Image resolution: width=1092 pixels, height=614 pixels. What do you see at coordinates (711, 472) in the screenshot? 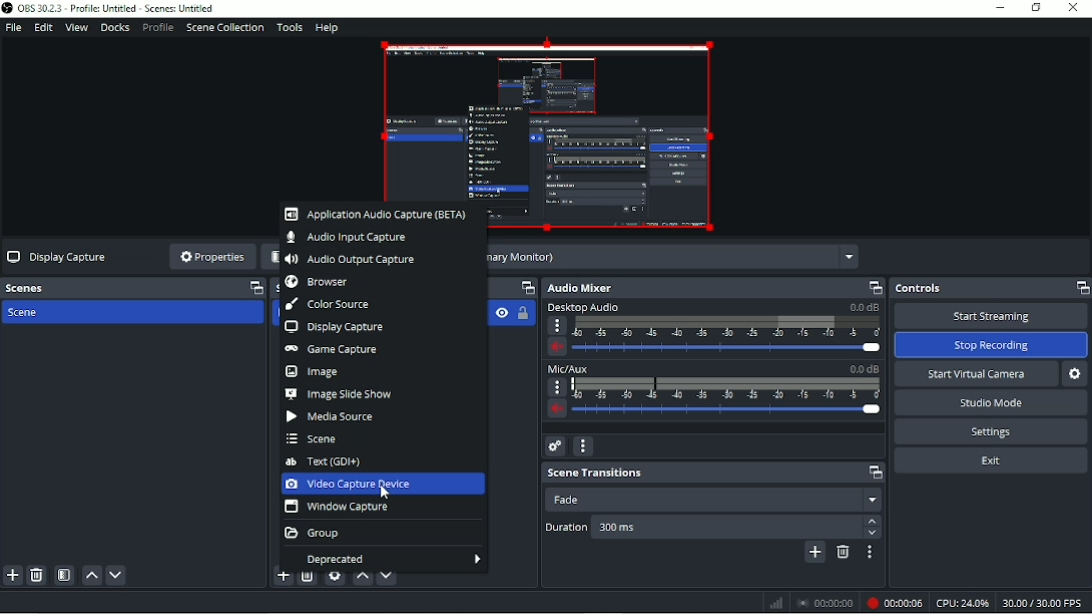
I see `Scene transitions` at bounding box center [711, 472].